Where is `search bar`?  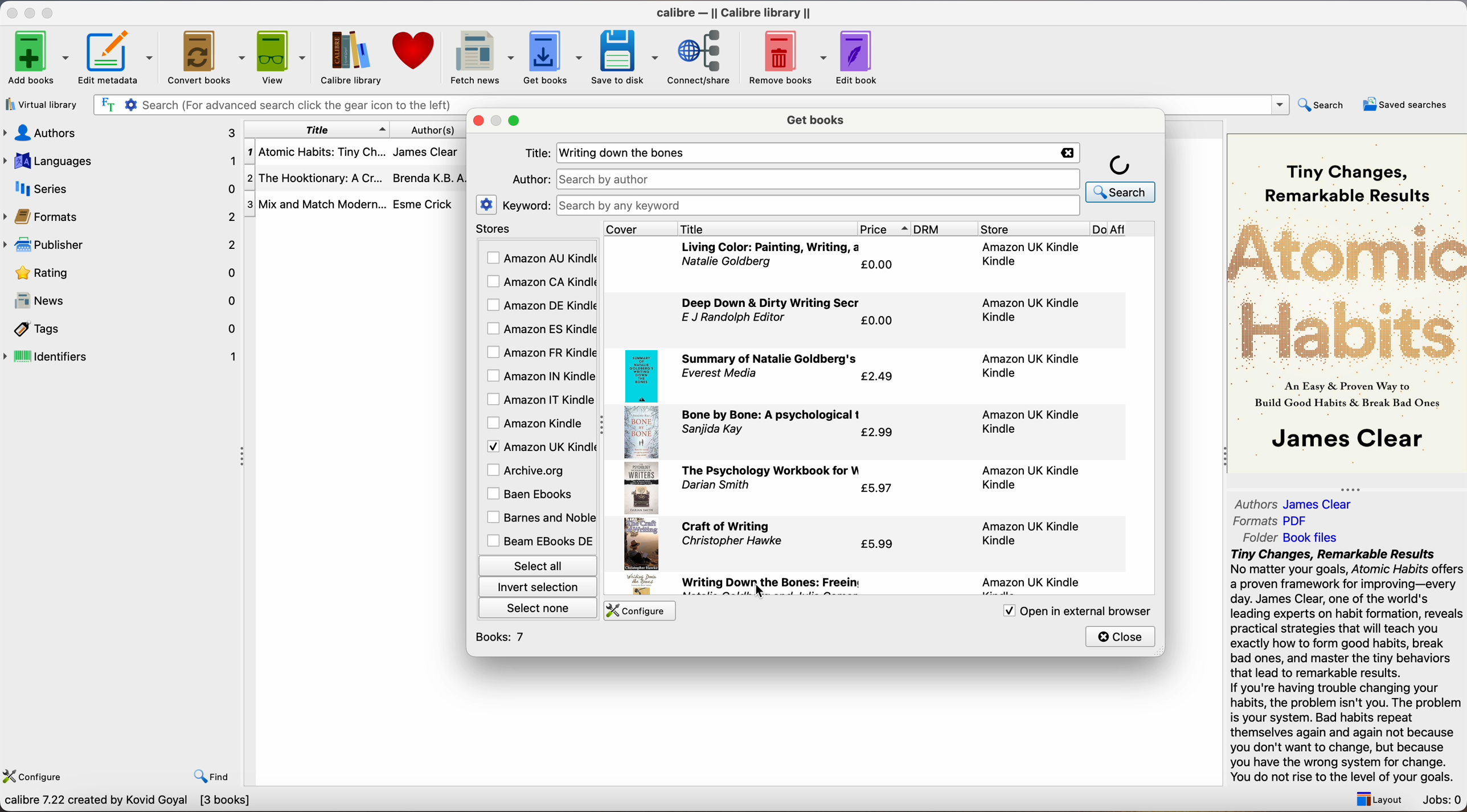 search bar is located at coordinates (817, 206).